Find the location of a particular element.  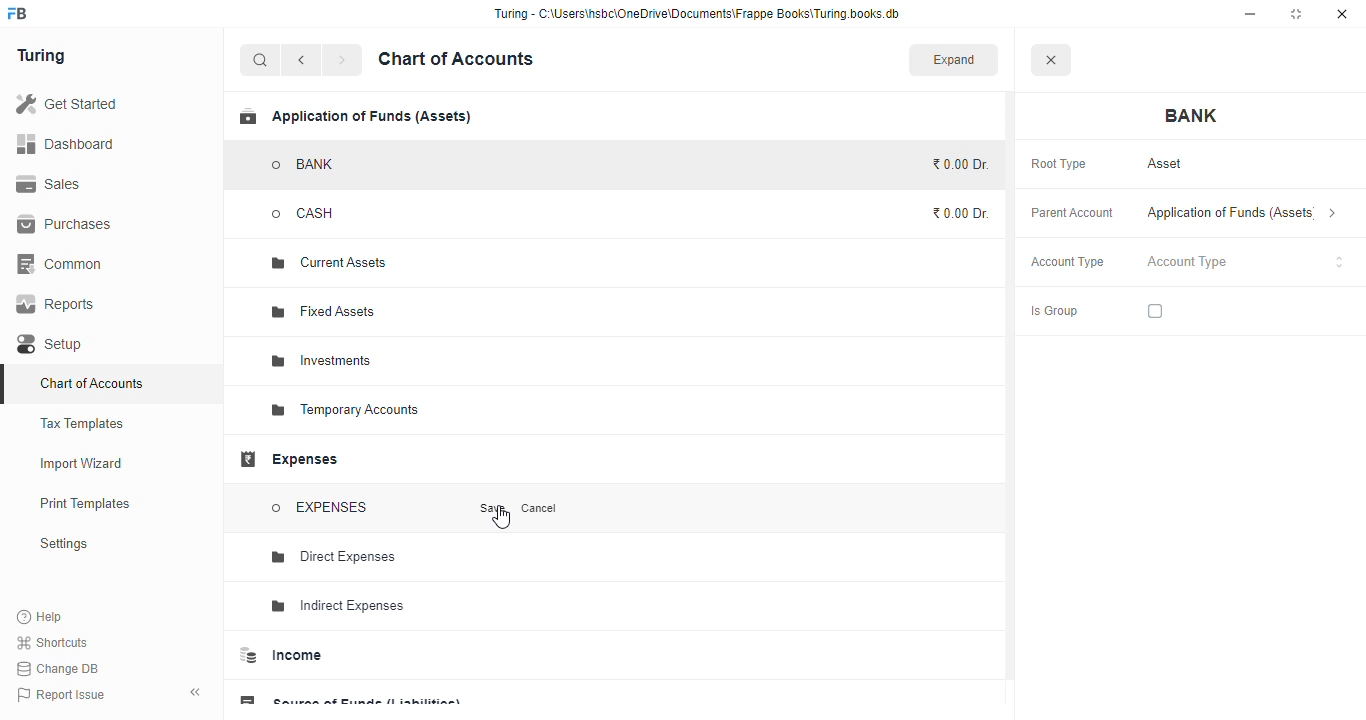

fixed assets is located at coordinates (325, 312).